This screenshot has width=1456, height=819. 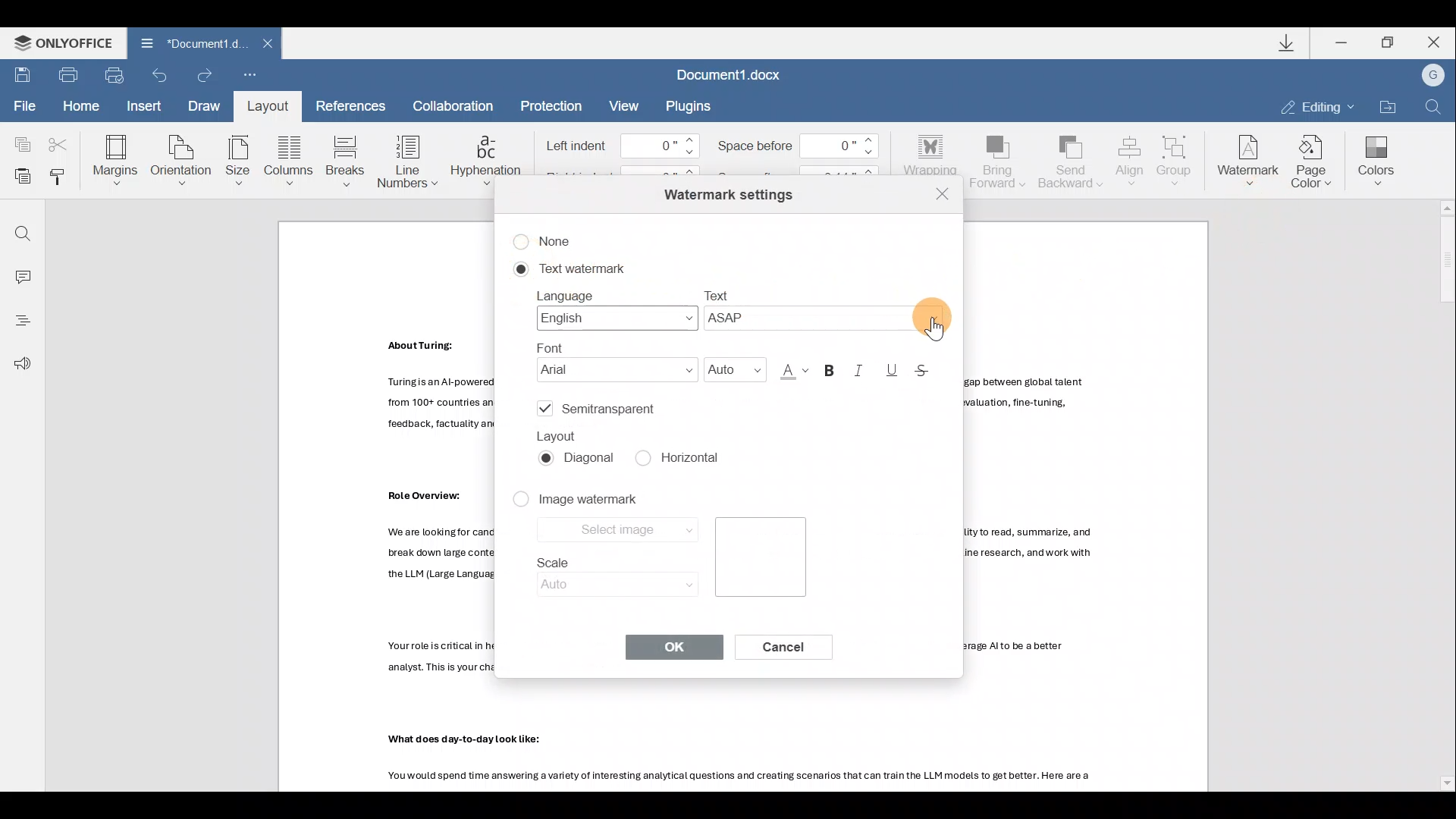 What do you see at coordinates (602, 411) in the screenshot?
I see `Semitransparent` at bounding box center [602, 411].